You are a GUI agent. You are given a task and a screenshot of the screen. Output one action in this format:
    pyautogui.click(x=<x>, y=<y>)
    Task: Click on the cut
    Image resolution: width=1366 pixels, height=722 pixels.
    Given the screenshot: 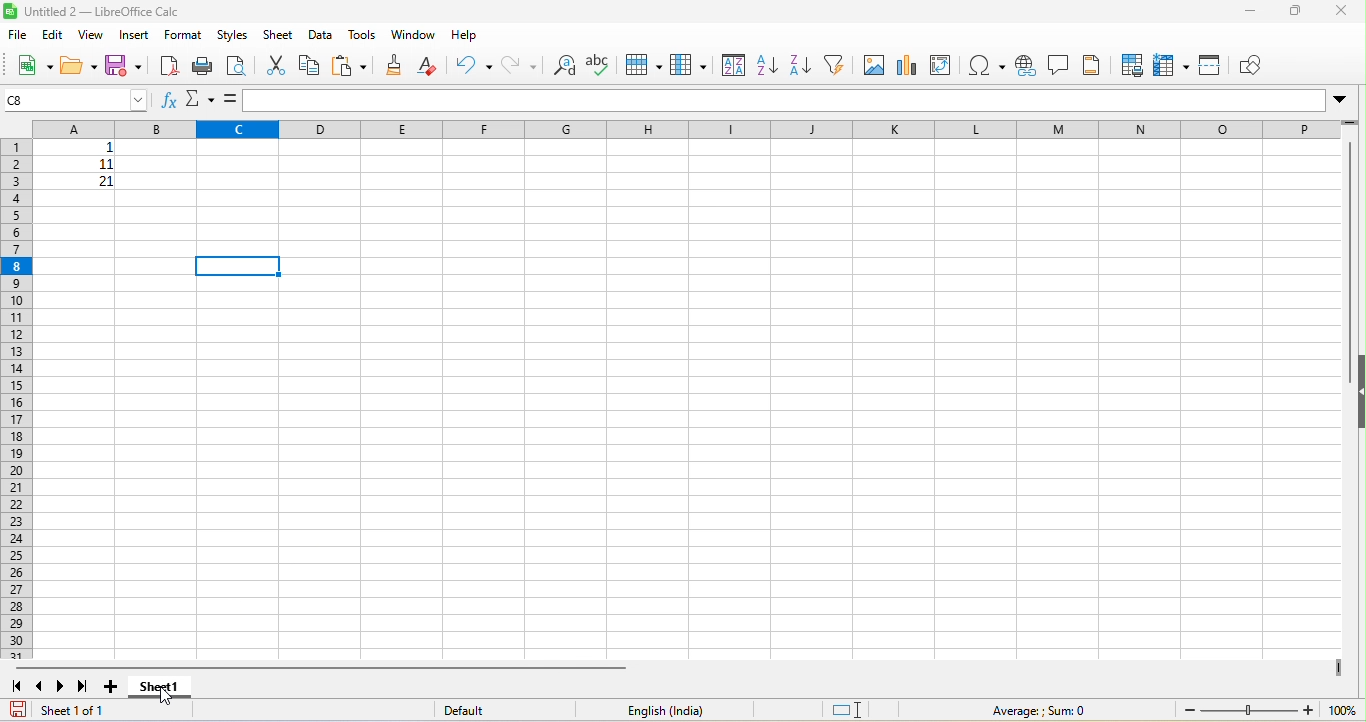 What is the action you would take?
    pyautogui.click(x=278, y=66)
    